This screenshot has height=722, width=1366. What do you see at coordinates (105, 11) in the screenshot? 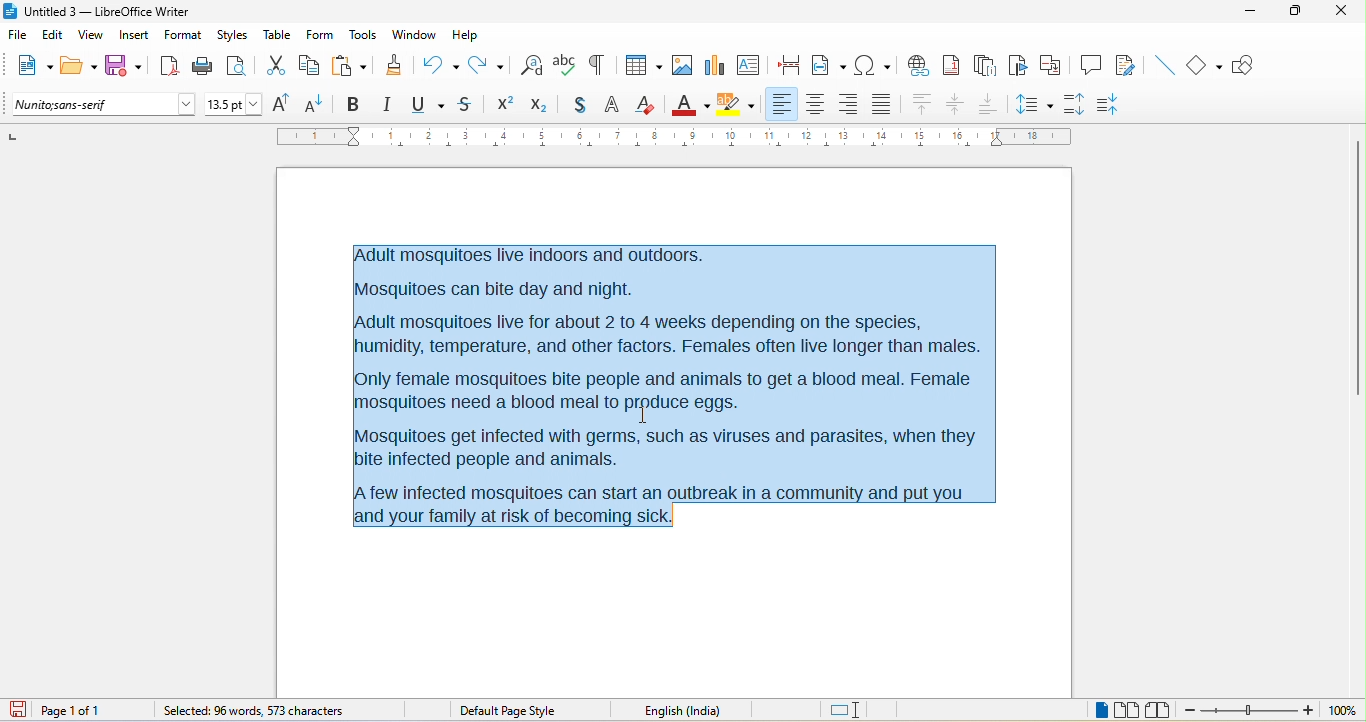
I see `Untitled 3 — LibreOffice Writer` at bounding box center [105, 11].